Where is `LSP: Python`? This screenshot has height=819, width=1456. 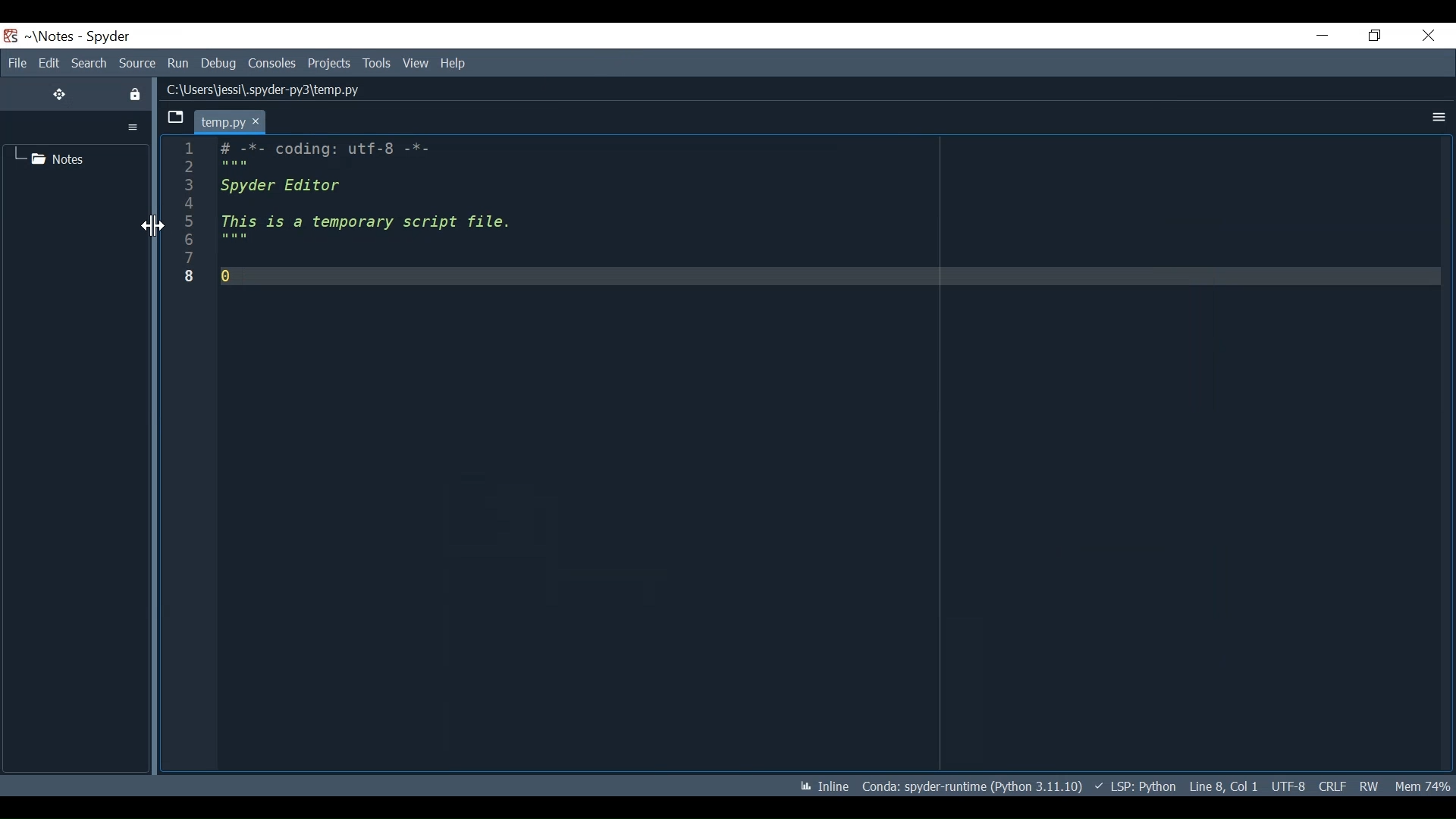 LSP: Python is located at coordinates (1134, 786).